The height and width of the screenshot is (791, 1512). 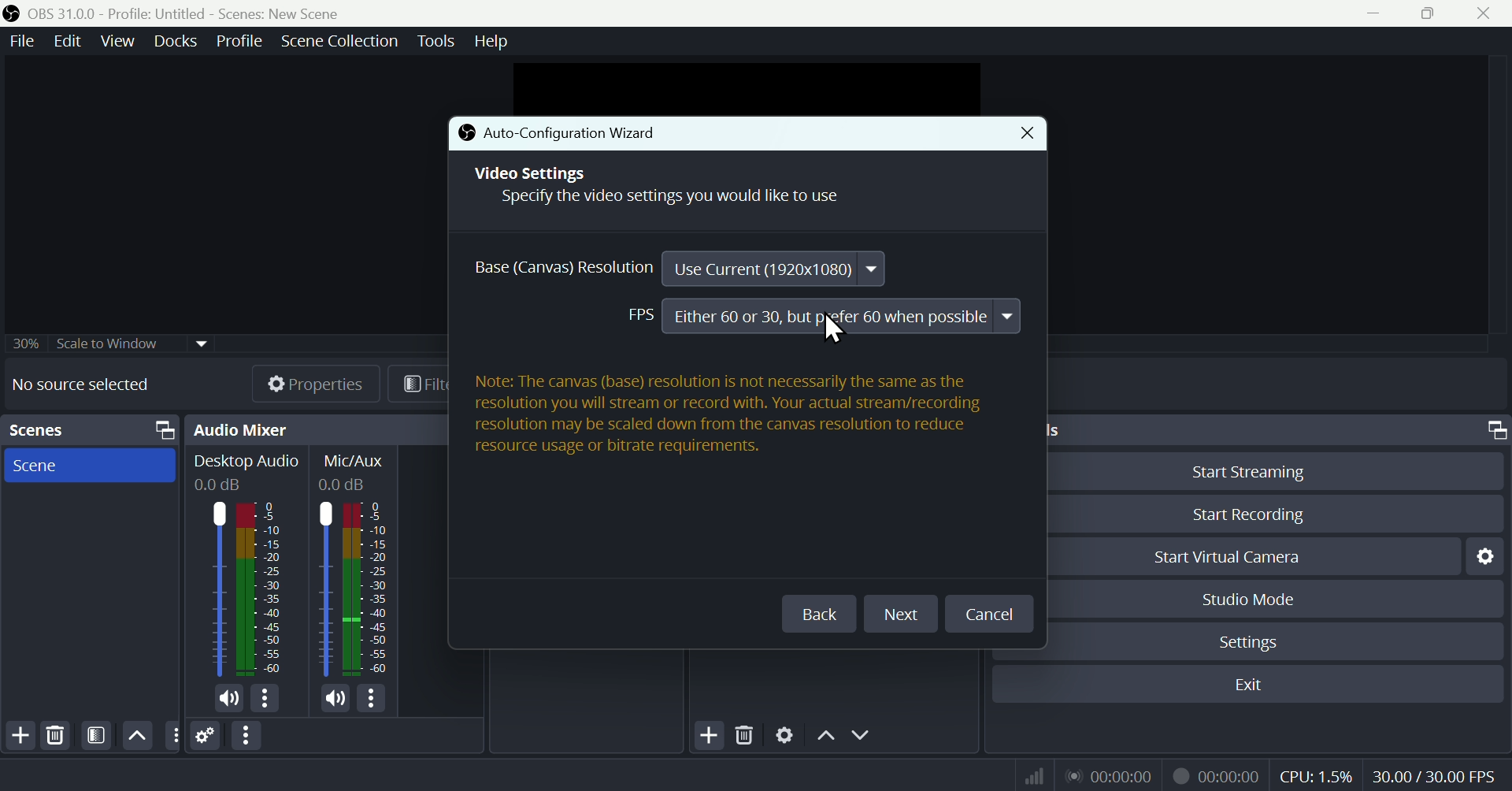 What do you see at coordinates (1108, 775) in the screenshot?
I see `Audio recorder` at bounding box center [1108, 775].